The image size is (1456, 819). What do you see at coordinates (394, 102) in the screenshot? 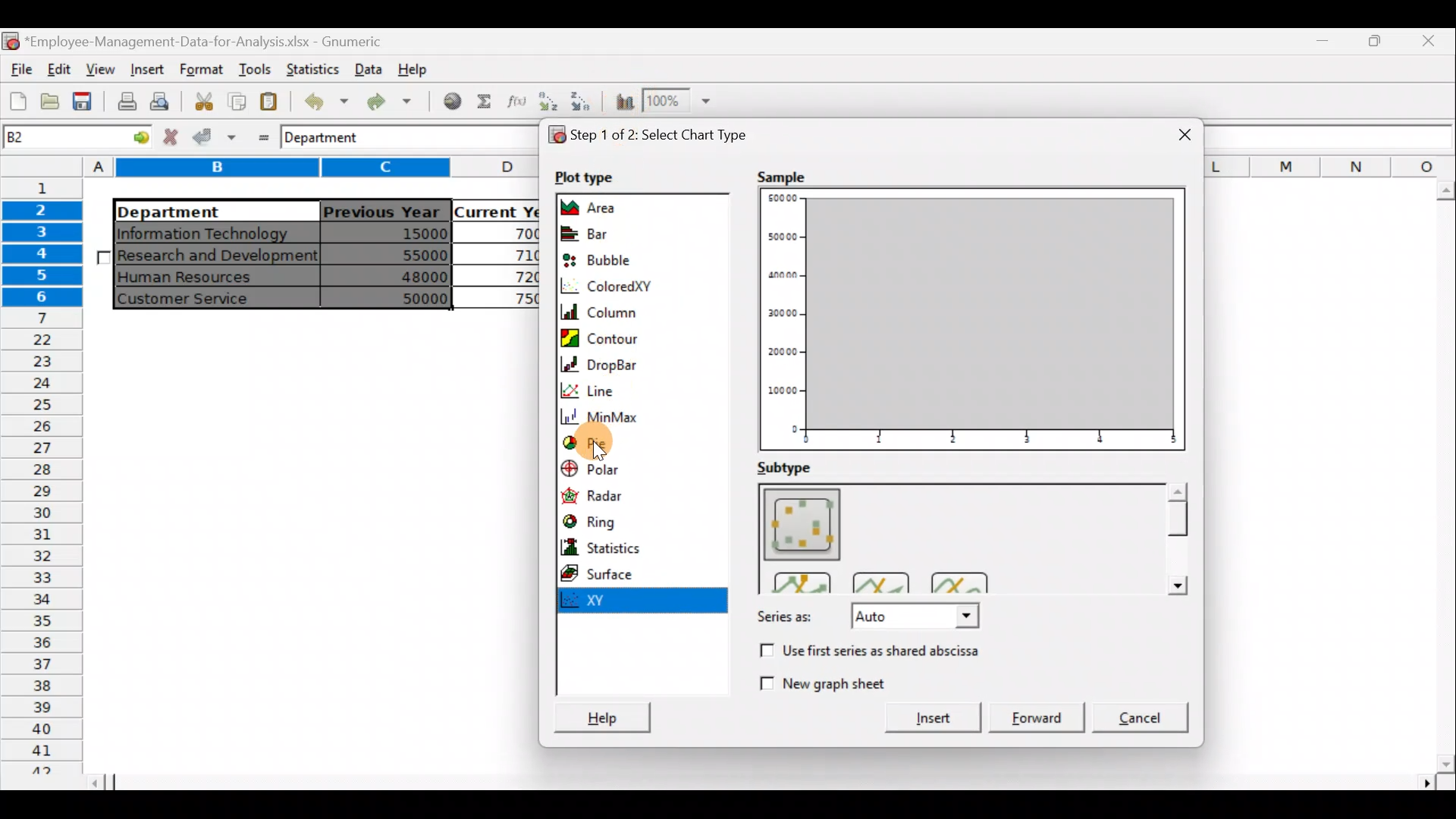
I see `Redo undone action` at bounding box center [394, 102].